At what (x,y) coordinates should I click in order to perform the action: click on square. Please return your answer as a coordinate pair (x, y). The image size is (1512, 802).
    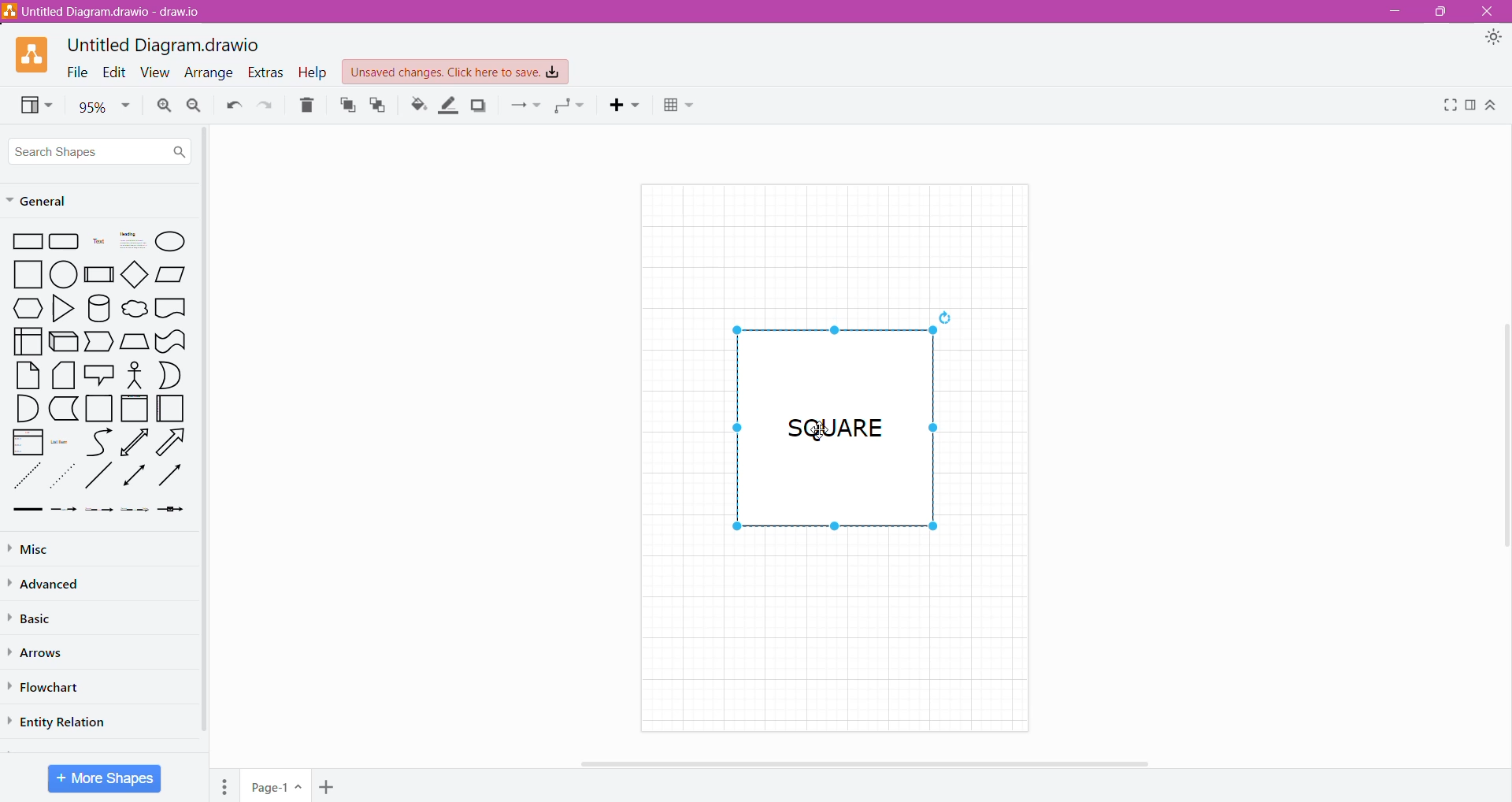
    Looking at the image, I should click on (25, 274).